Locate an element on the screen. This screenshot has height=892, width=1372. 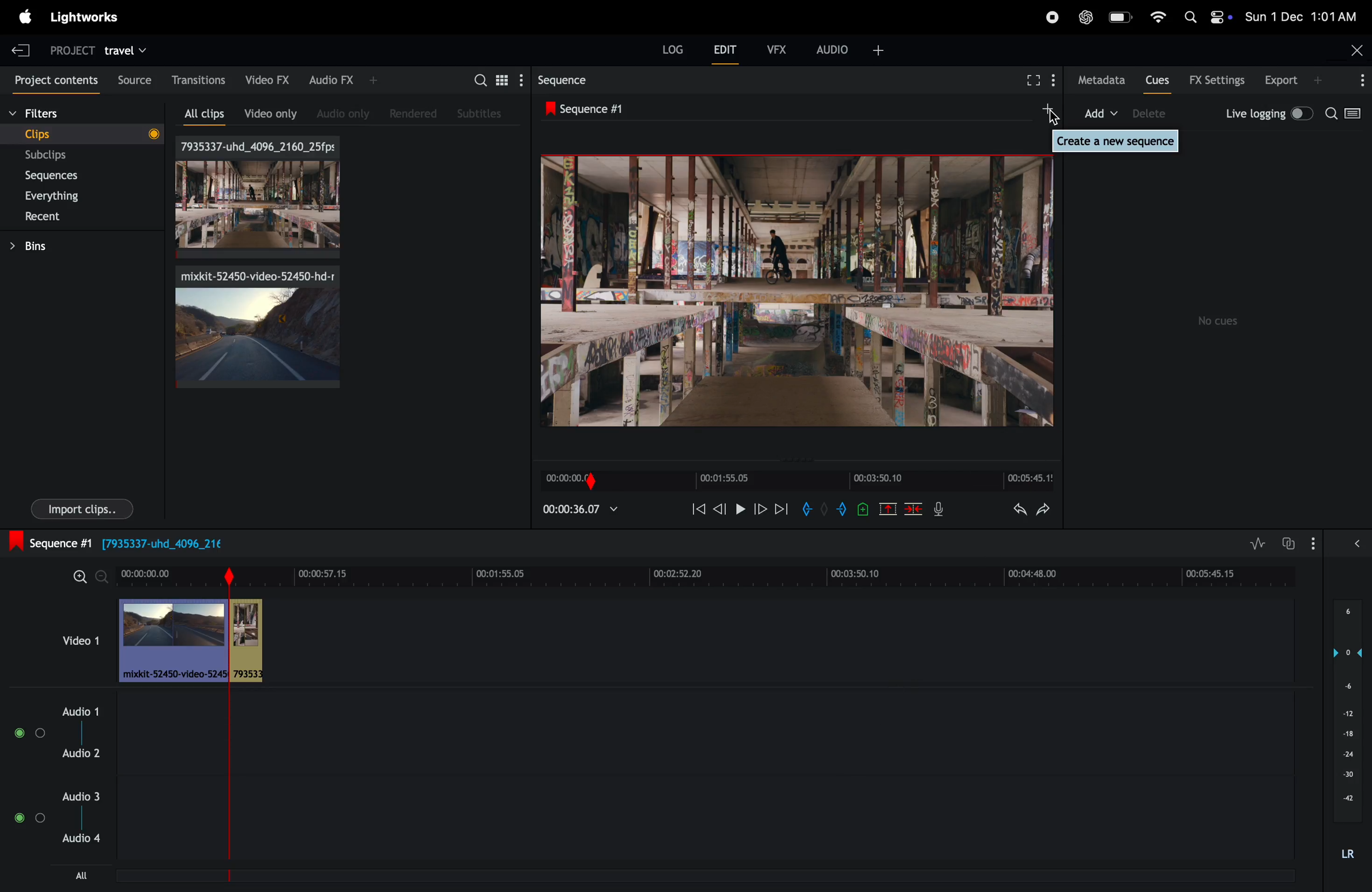
video clips is located at coordinates (258, 327).